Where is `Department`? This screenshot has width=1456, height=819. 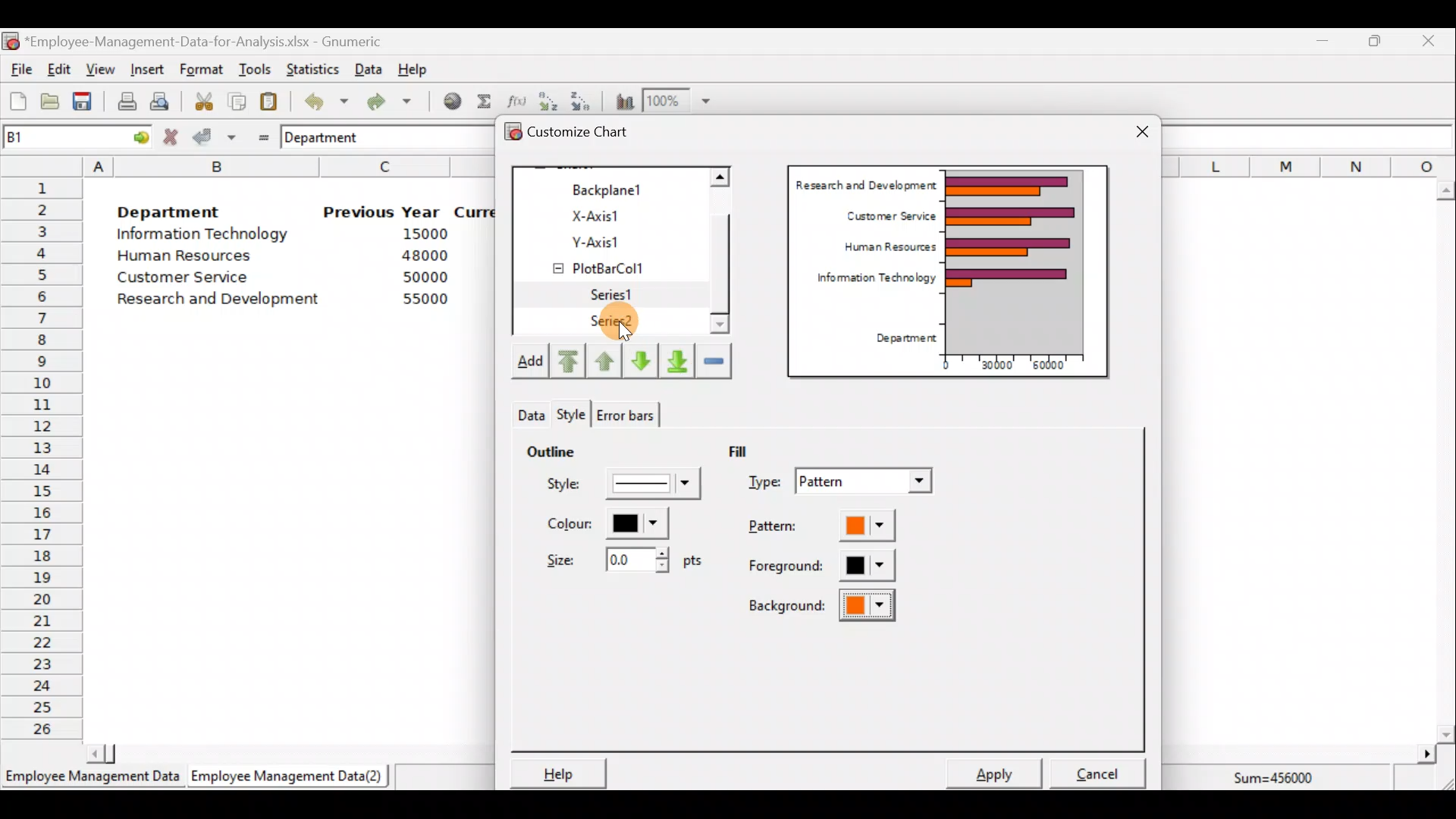
Department is located at coordinates (168, 208).